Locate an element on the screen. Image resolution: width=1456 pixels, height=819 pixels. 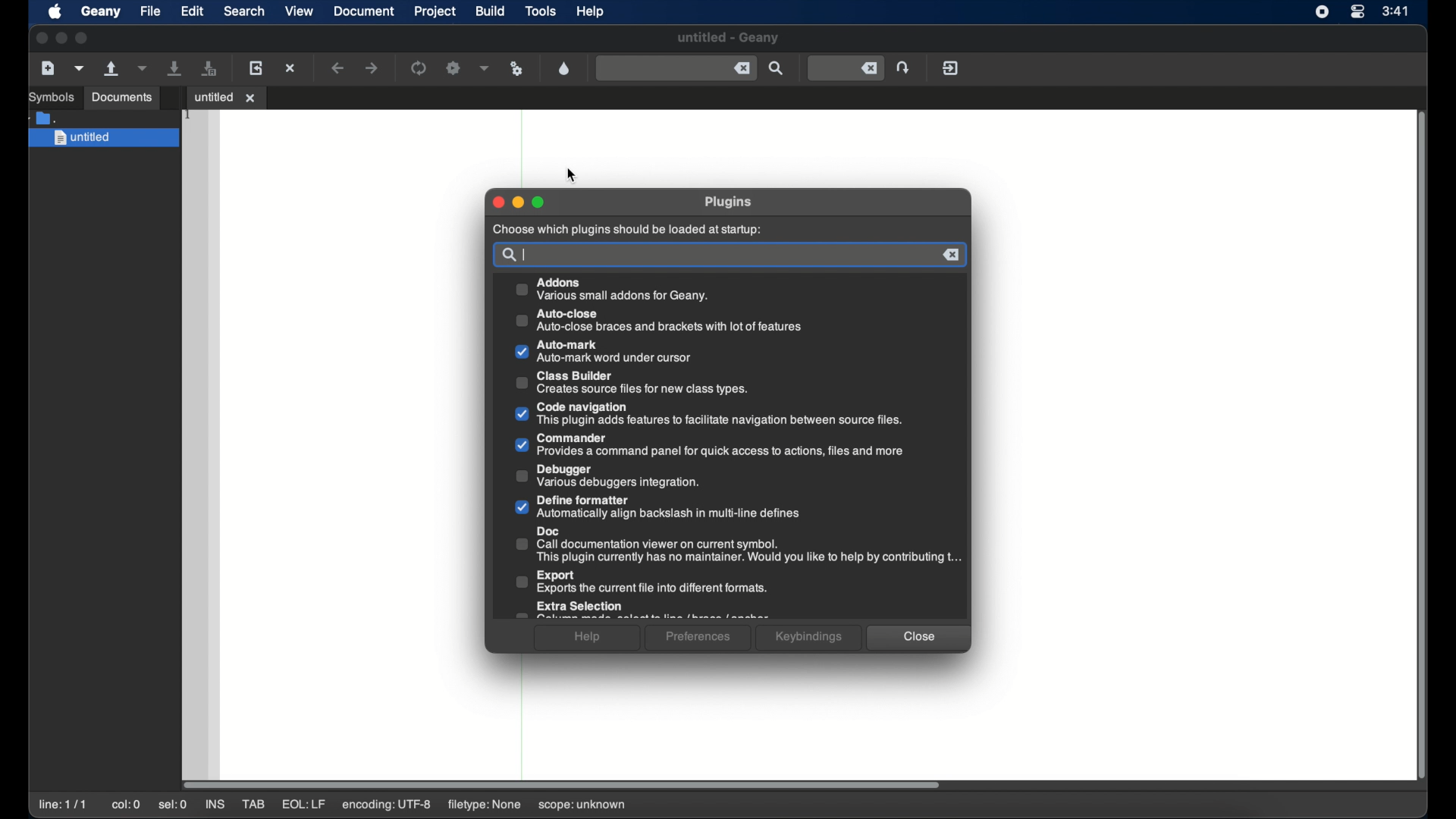
build is located at coordinates (491, 11).